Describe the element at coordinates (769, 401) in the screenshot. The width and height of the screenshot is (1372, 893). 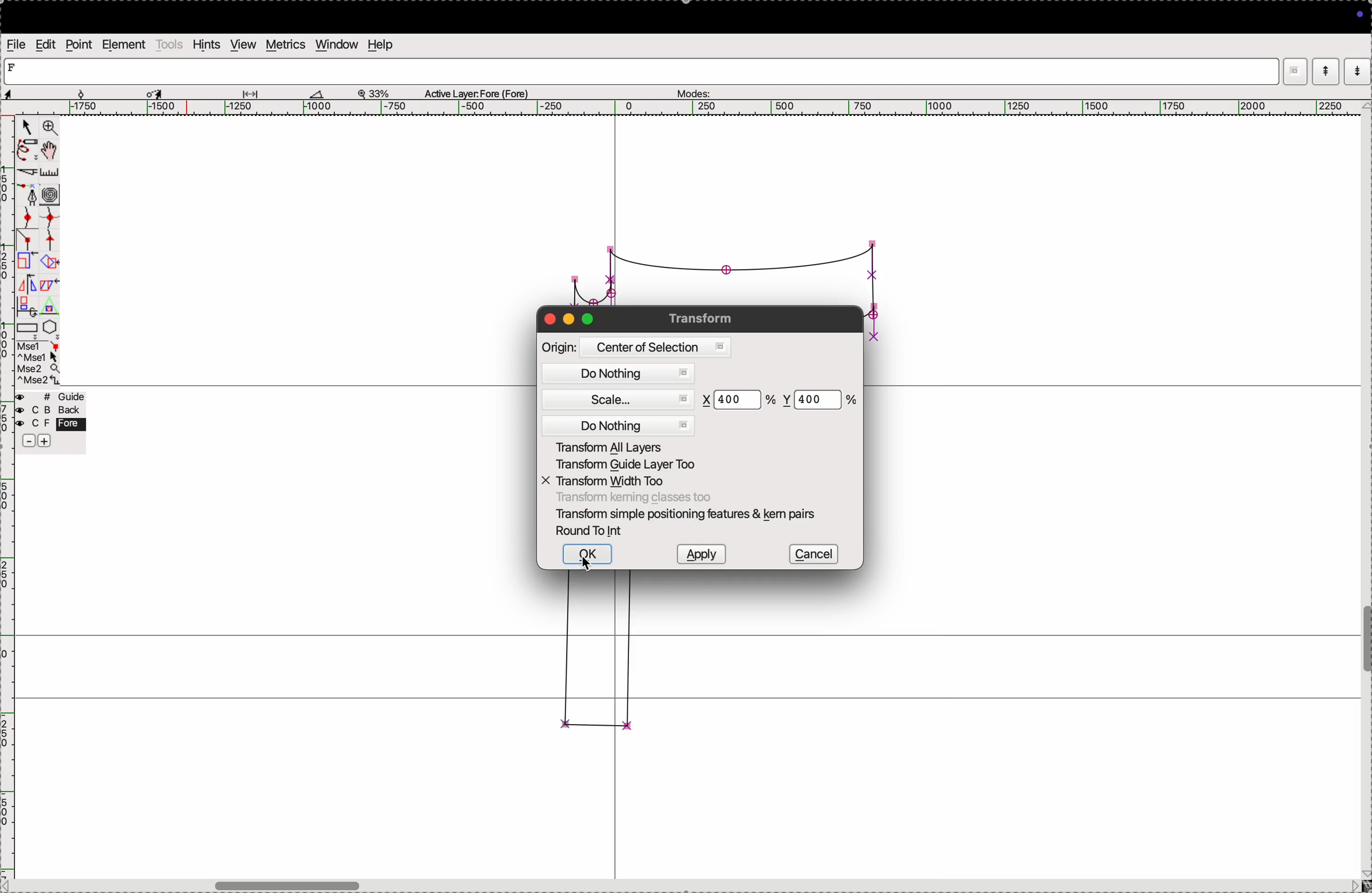
I see `percent` at that location.